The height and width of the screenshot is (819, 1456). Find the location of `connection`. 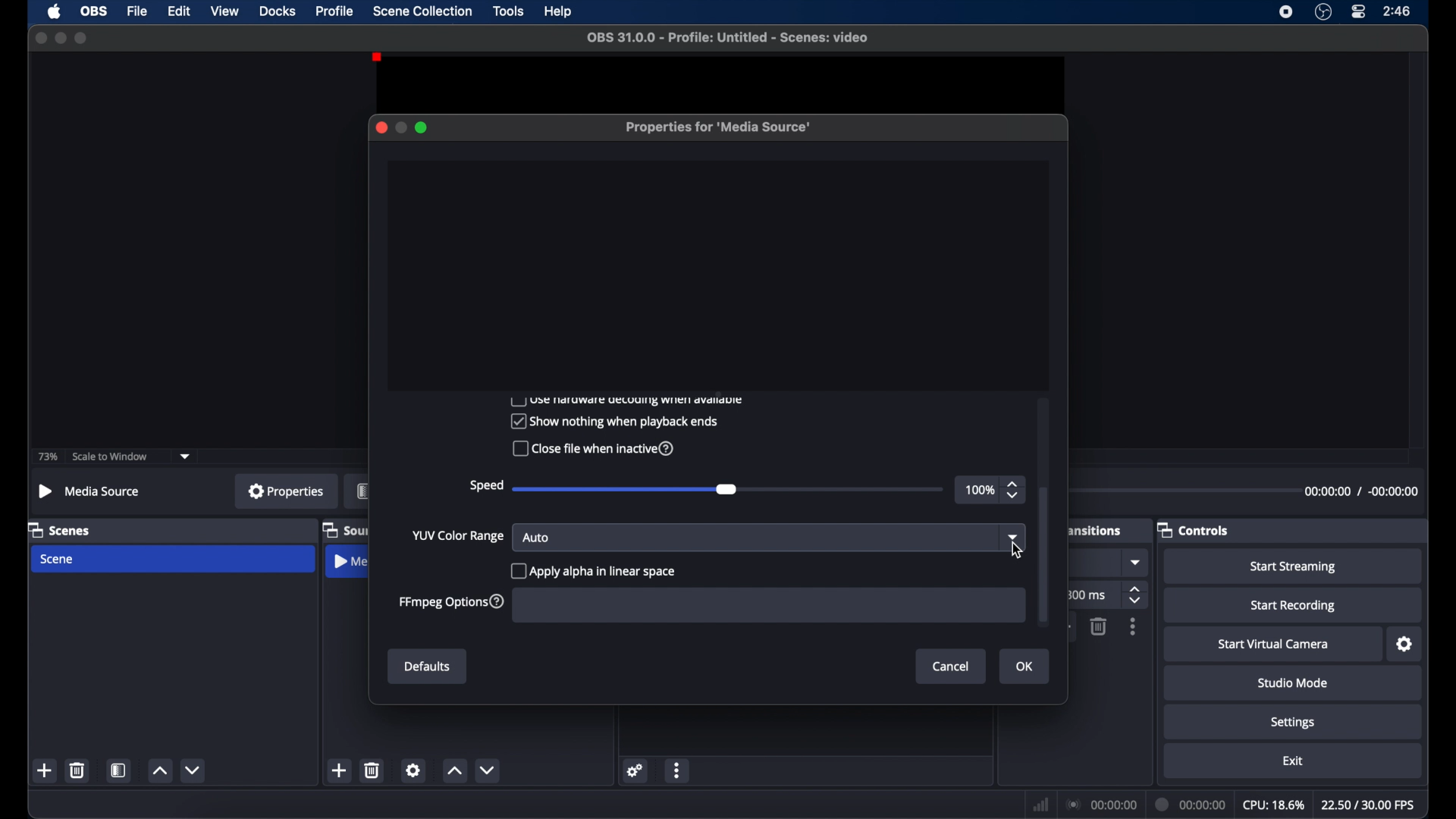

connection is located at coordinates (1101, 803).